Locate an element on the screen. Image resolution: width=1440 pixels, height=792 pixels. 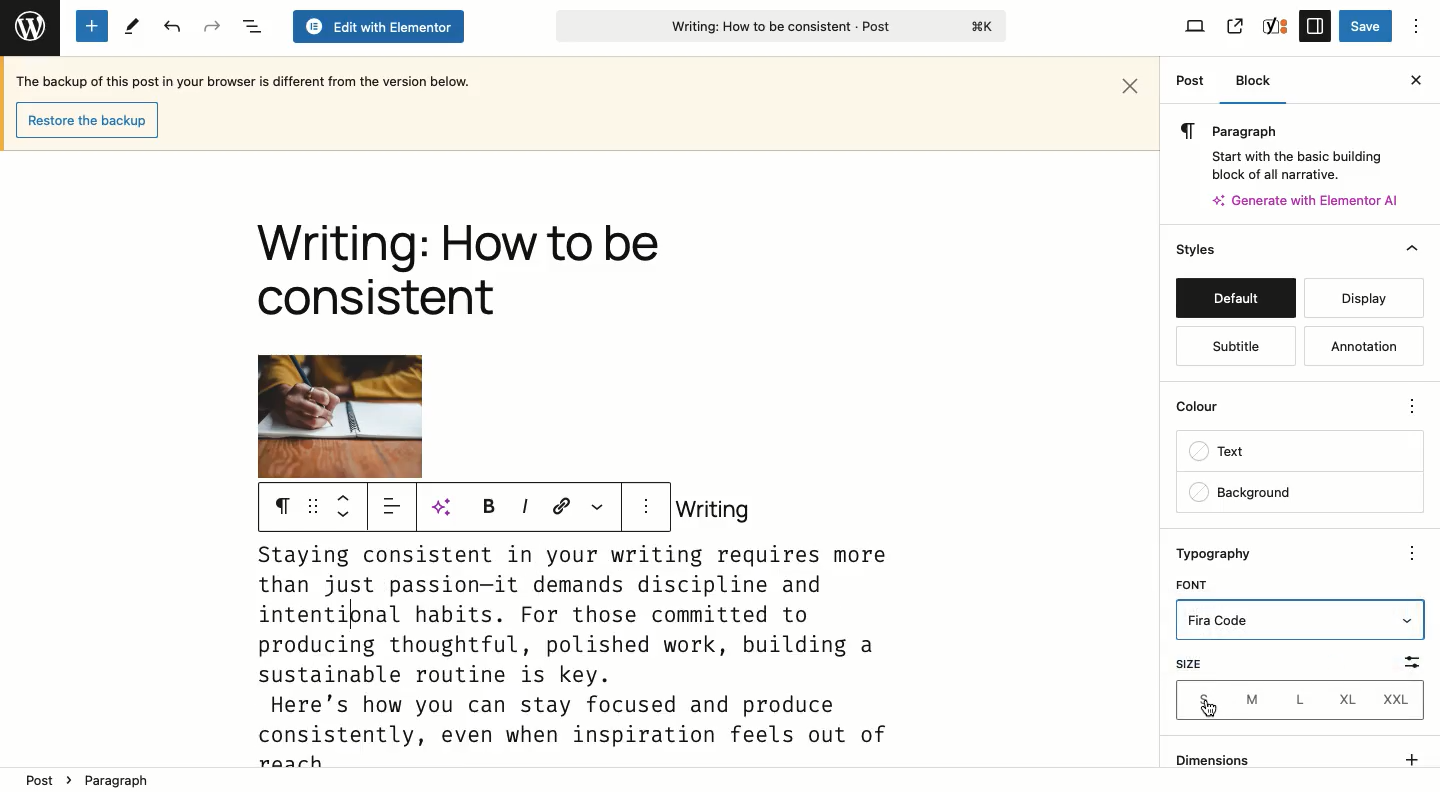
Italics is located at coordinates (524, 505).